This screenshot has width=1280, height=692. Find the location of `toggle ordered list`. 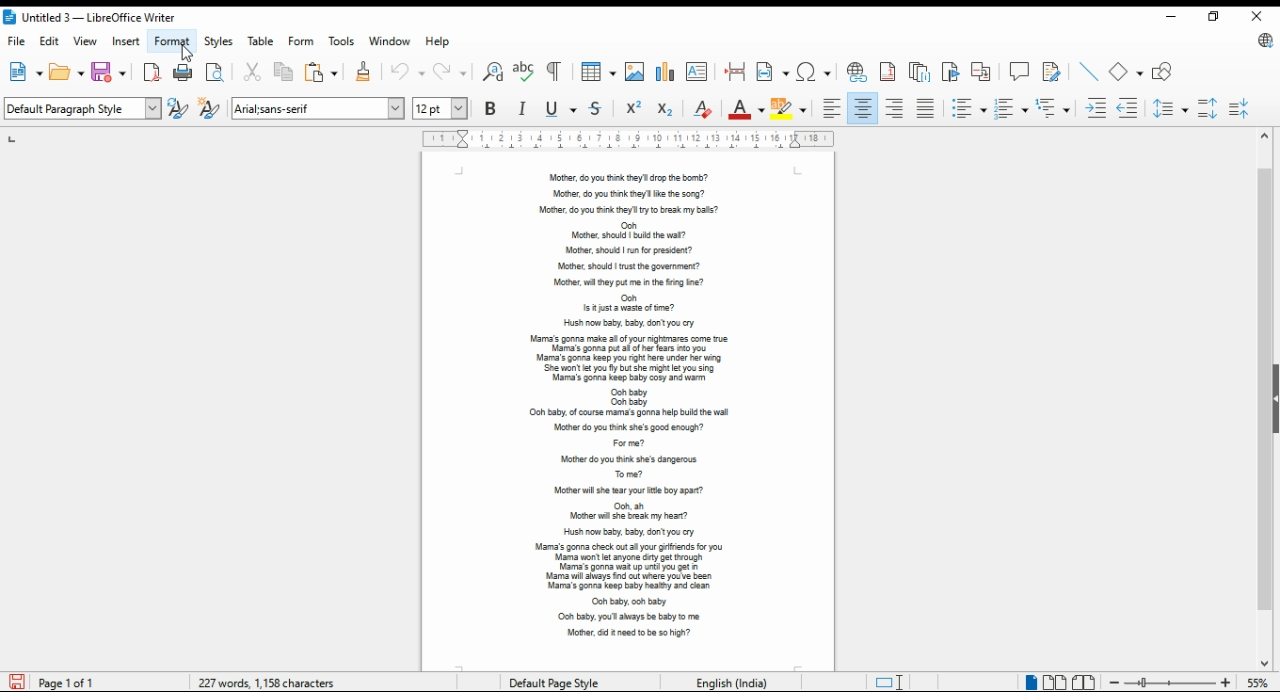

toggle ordered list is located at coordinates (1010, 109).